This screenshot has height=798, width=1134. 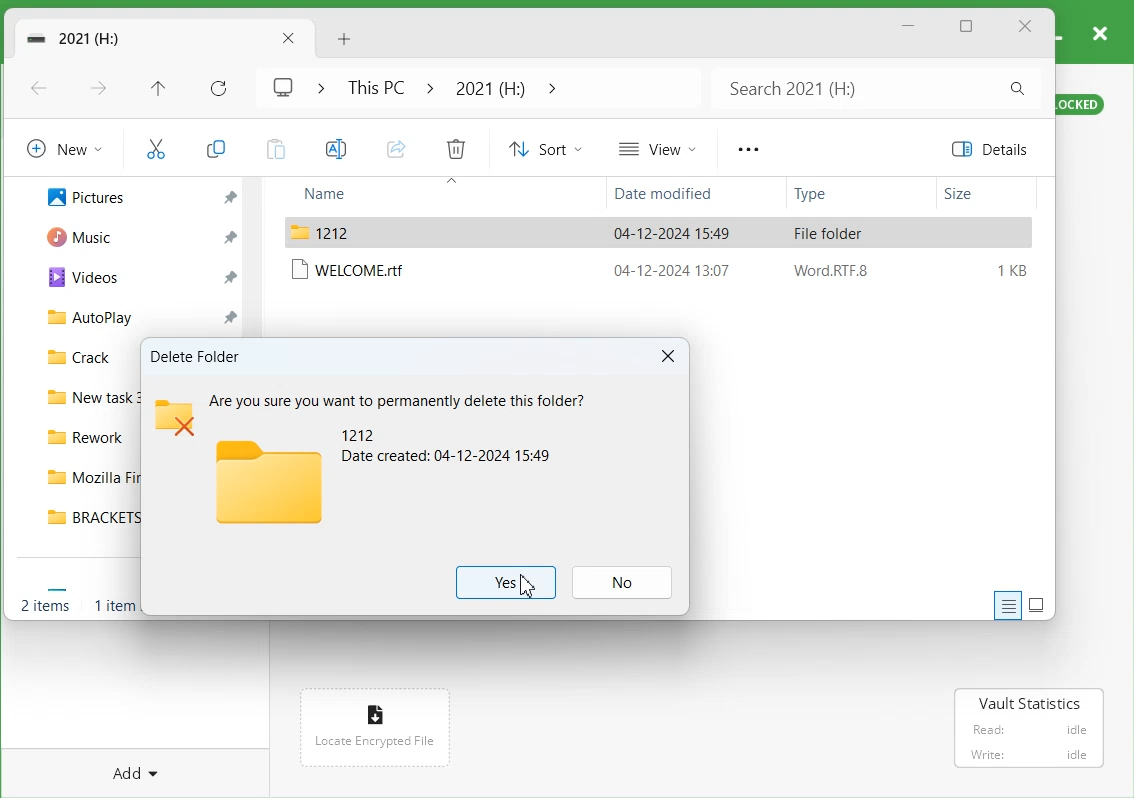 What do you see at coordinates (656, 148) in the screenshot?
I see `View ` at bounding box center [656, 148].